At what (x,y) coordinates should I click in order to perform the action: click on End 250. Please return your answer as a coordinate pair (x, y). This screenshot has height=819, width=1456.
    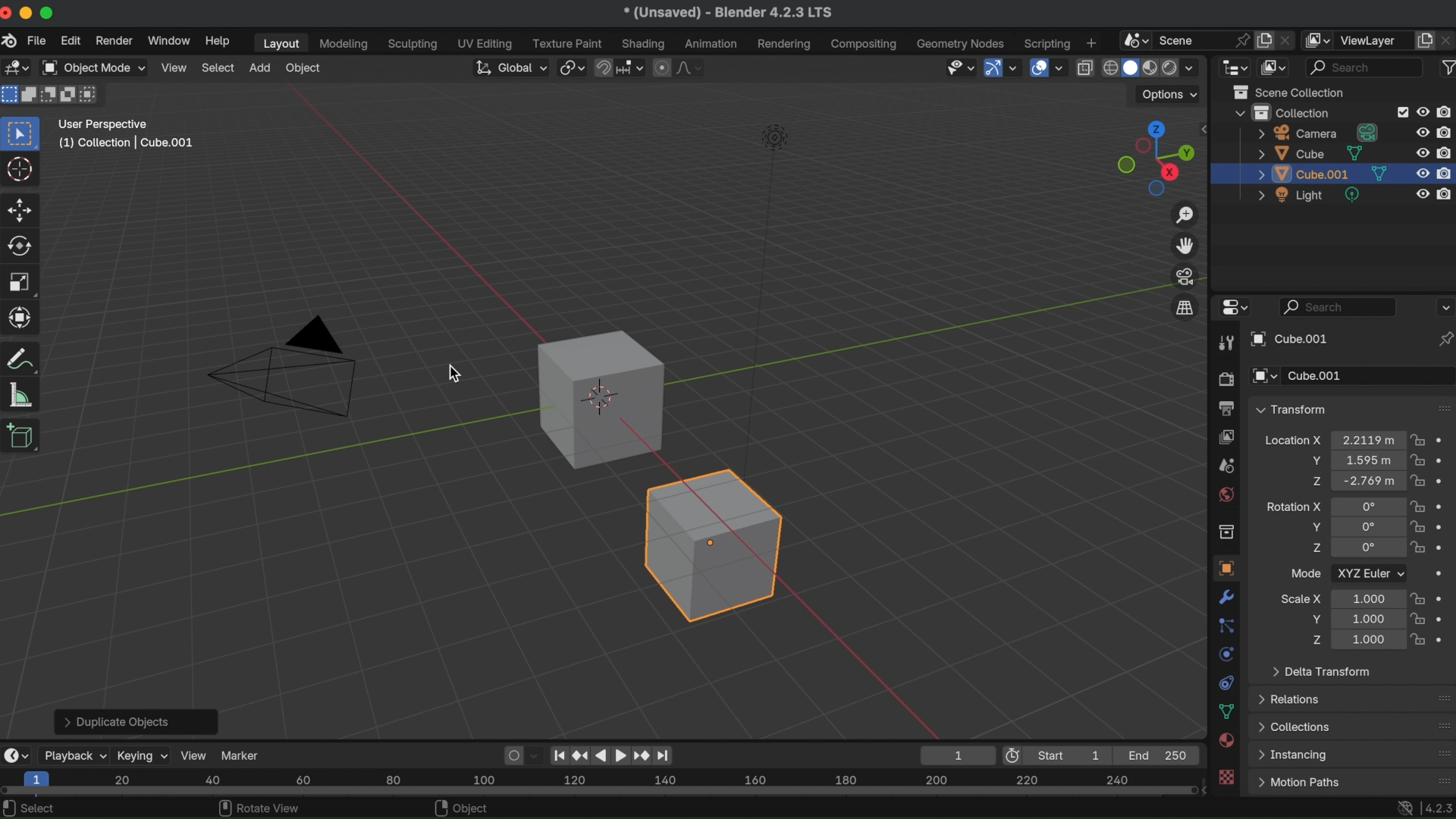
    Looking at the image, I should click on (1159, 755).